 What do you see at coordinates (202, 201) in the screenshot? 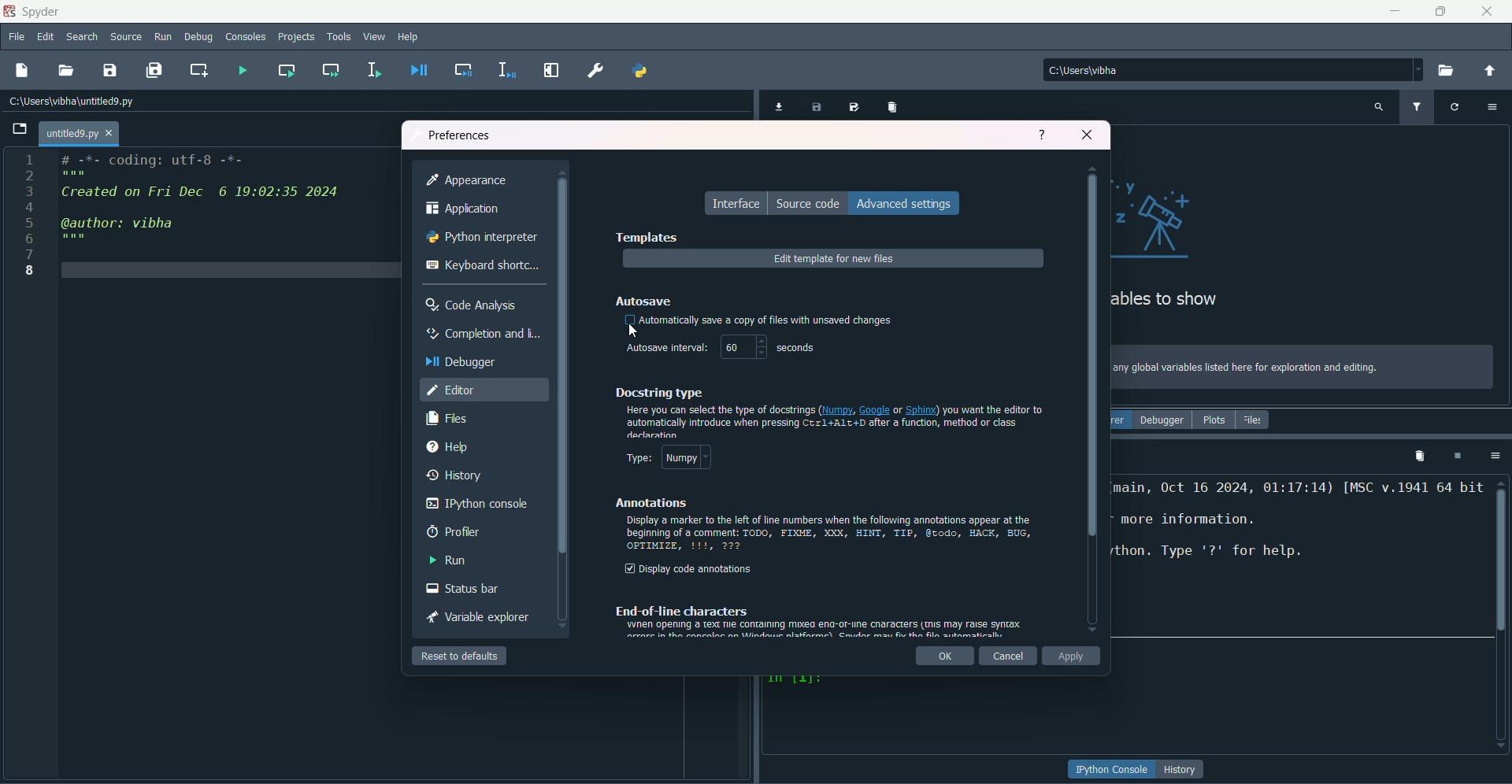
I see `code` at bounding box center [202, 201].